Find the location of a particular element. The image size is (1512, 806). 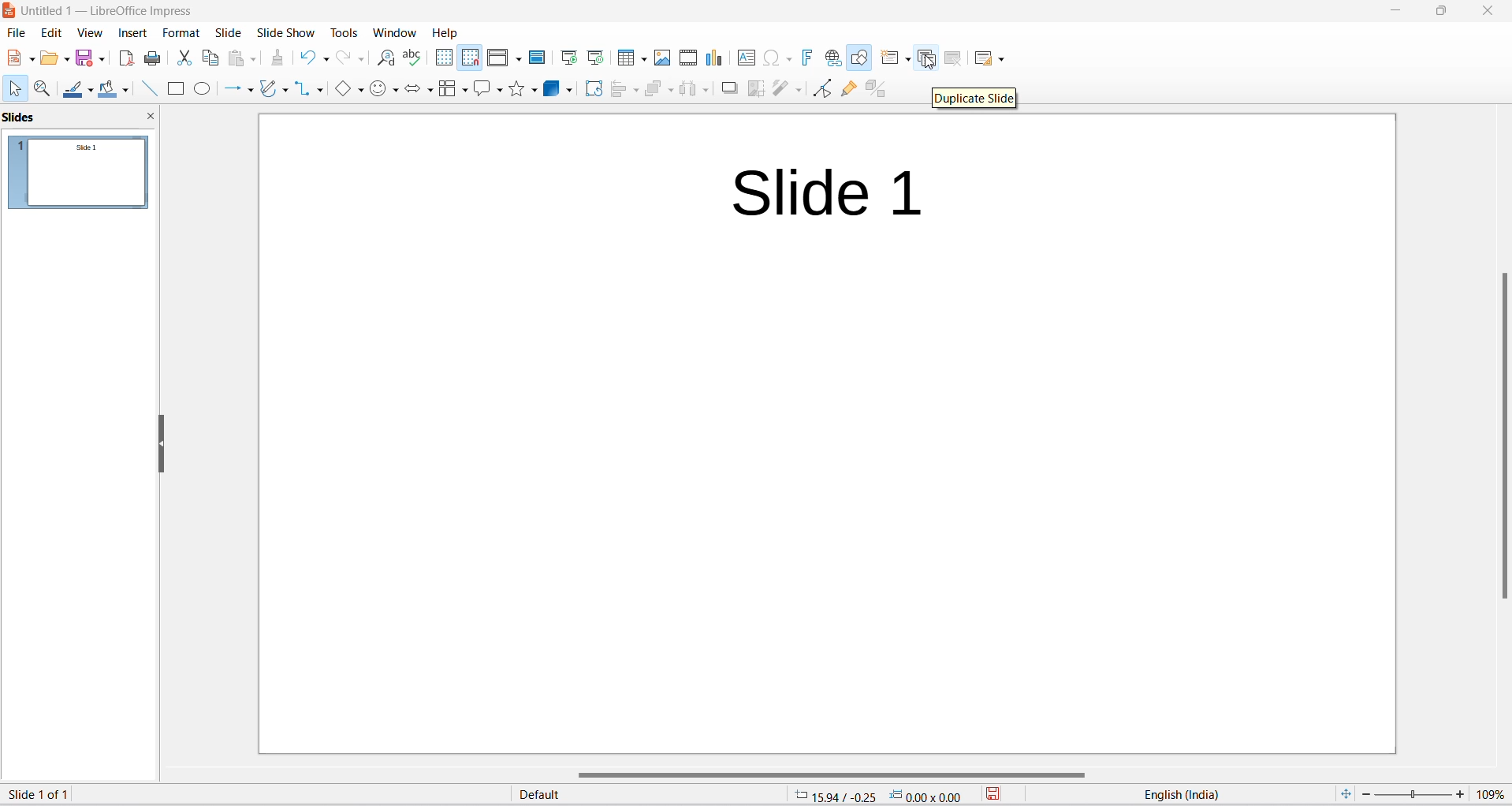

Help is located at coordinates (445, 32).